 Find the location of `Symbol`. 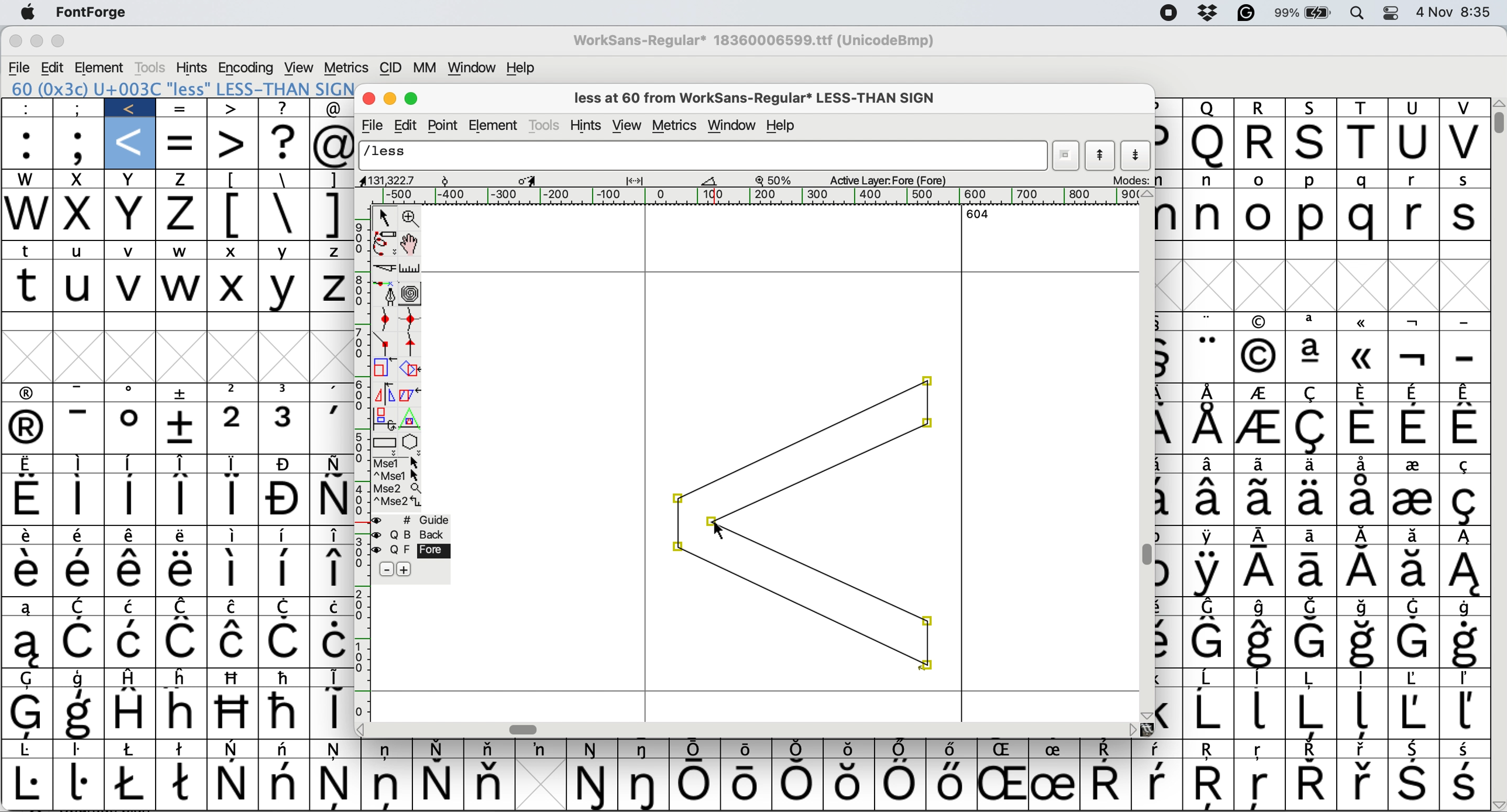

Symbol is located at coordinates (1260, 643).